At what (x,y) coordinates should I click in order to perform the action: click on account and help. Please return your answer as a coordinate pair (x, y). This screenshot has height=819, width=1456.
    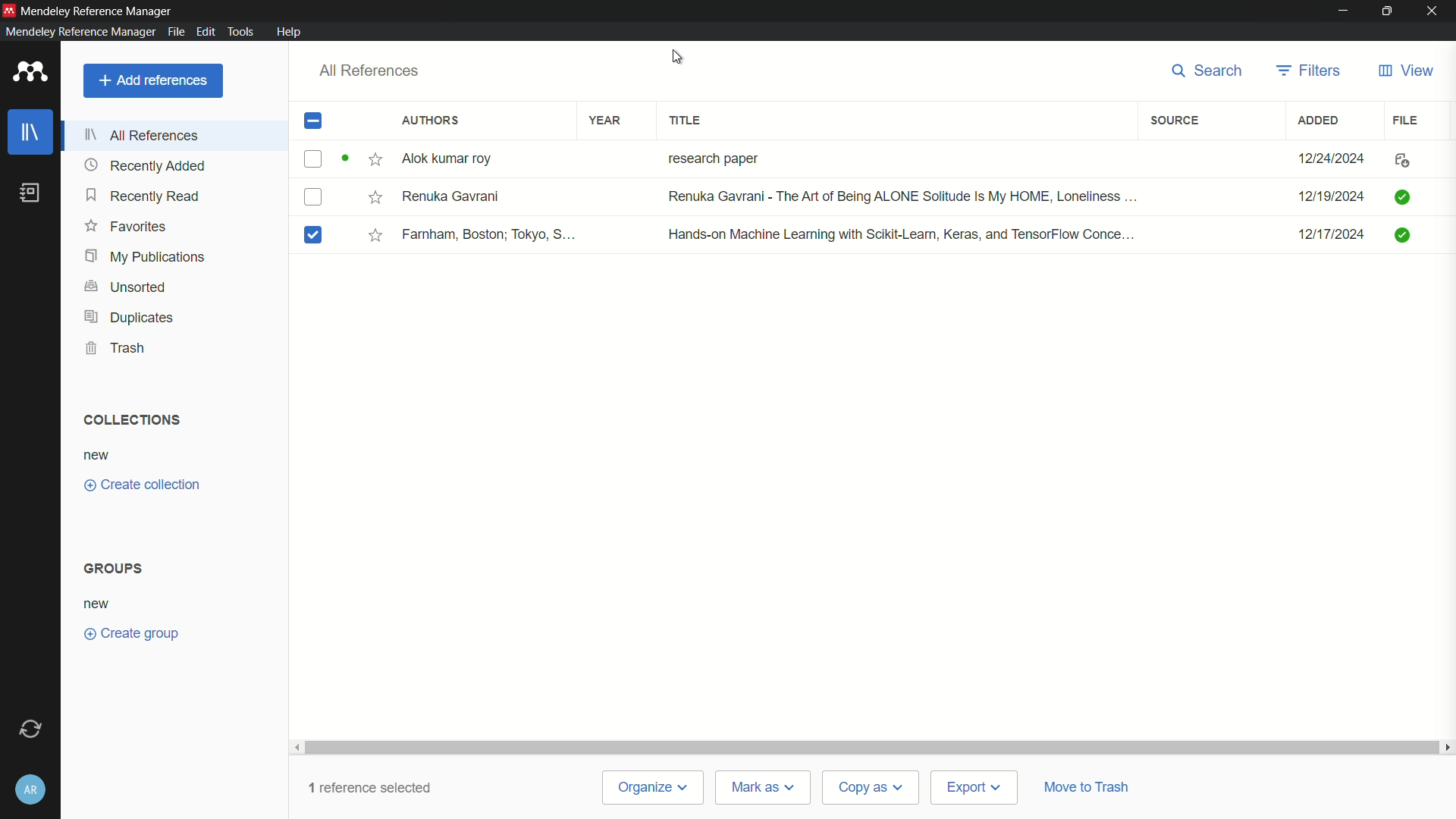
    Looking at the image, I should click on (30, 792).